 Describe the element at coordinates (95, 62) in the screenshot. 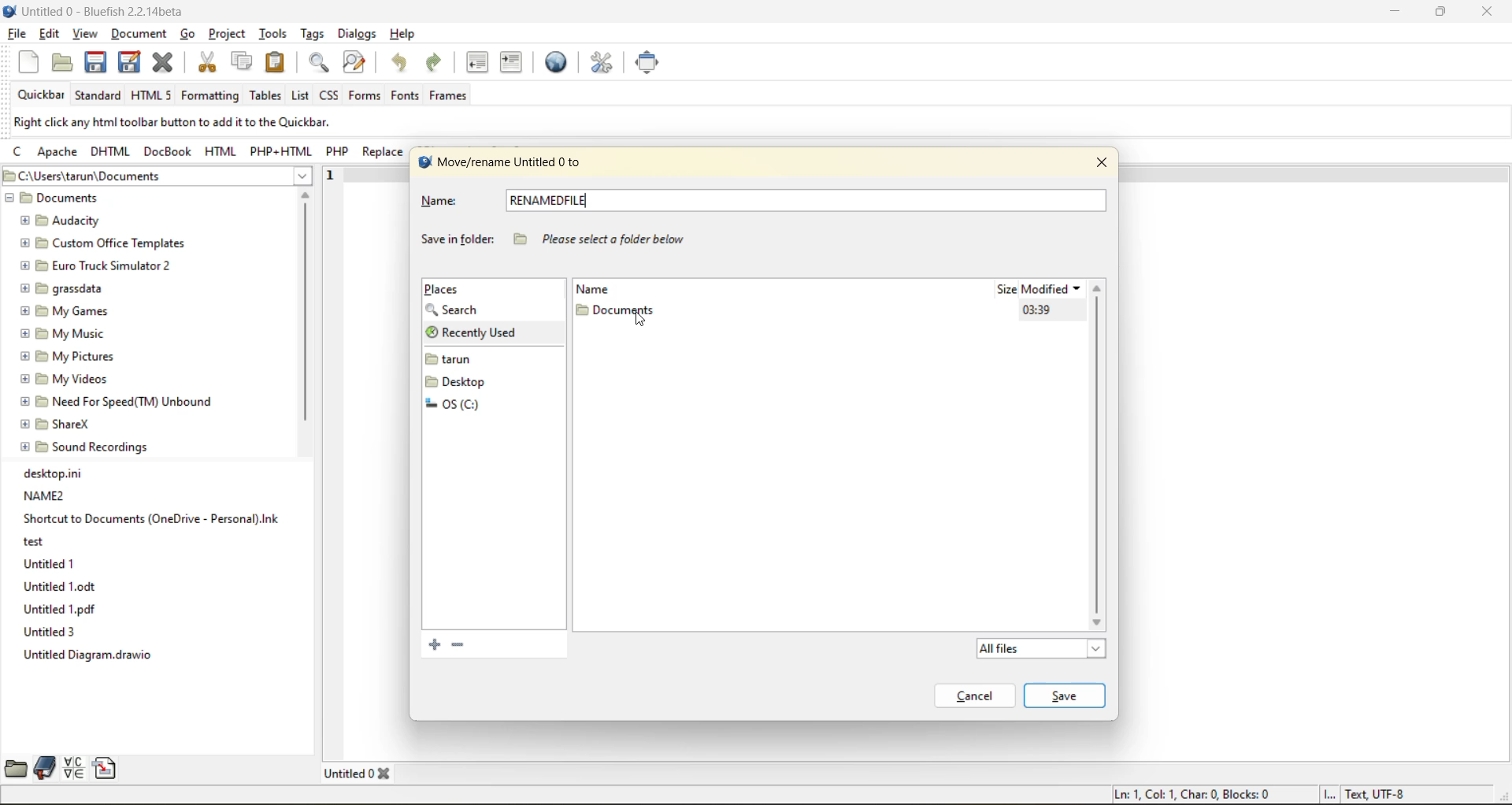

I see `save` at that location.